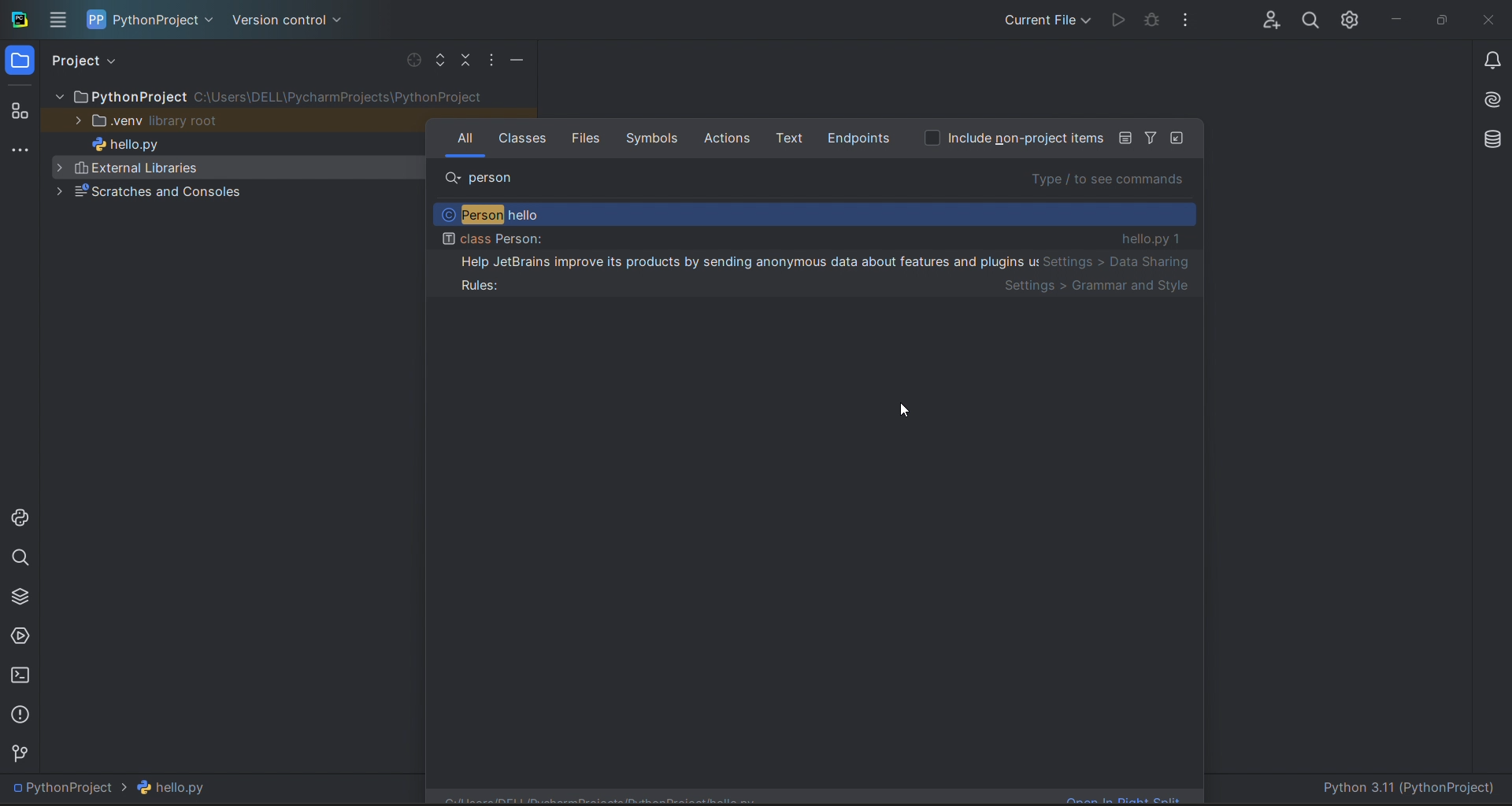  Describe the element at coordinates (465, 60) in the screenshot. I see `collapse file` at that location.